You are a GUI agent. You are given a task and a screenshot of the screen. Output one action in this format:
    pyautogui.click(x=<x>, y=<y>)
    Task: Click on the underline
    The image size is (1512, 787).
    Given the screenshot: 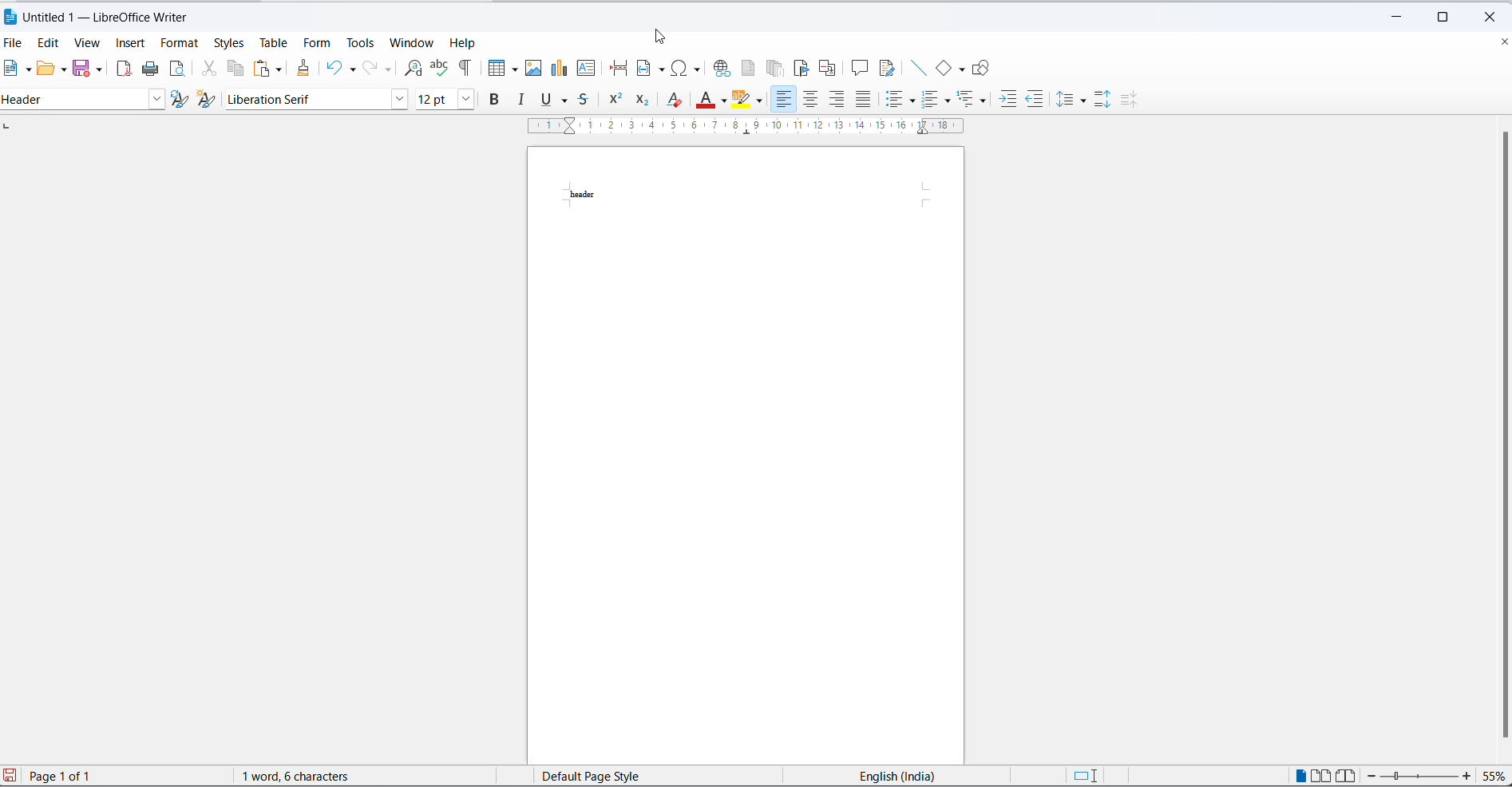 What is the action you would take?
    pyautogui.click(x=566, y=101)
    